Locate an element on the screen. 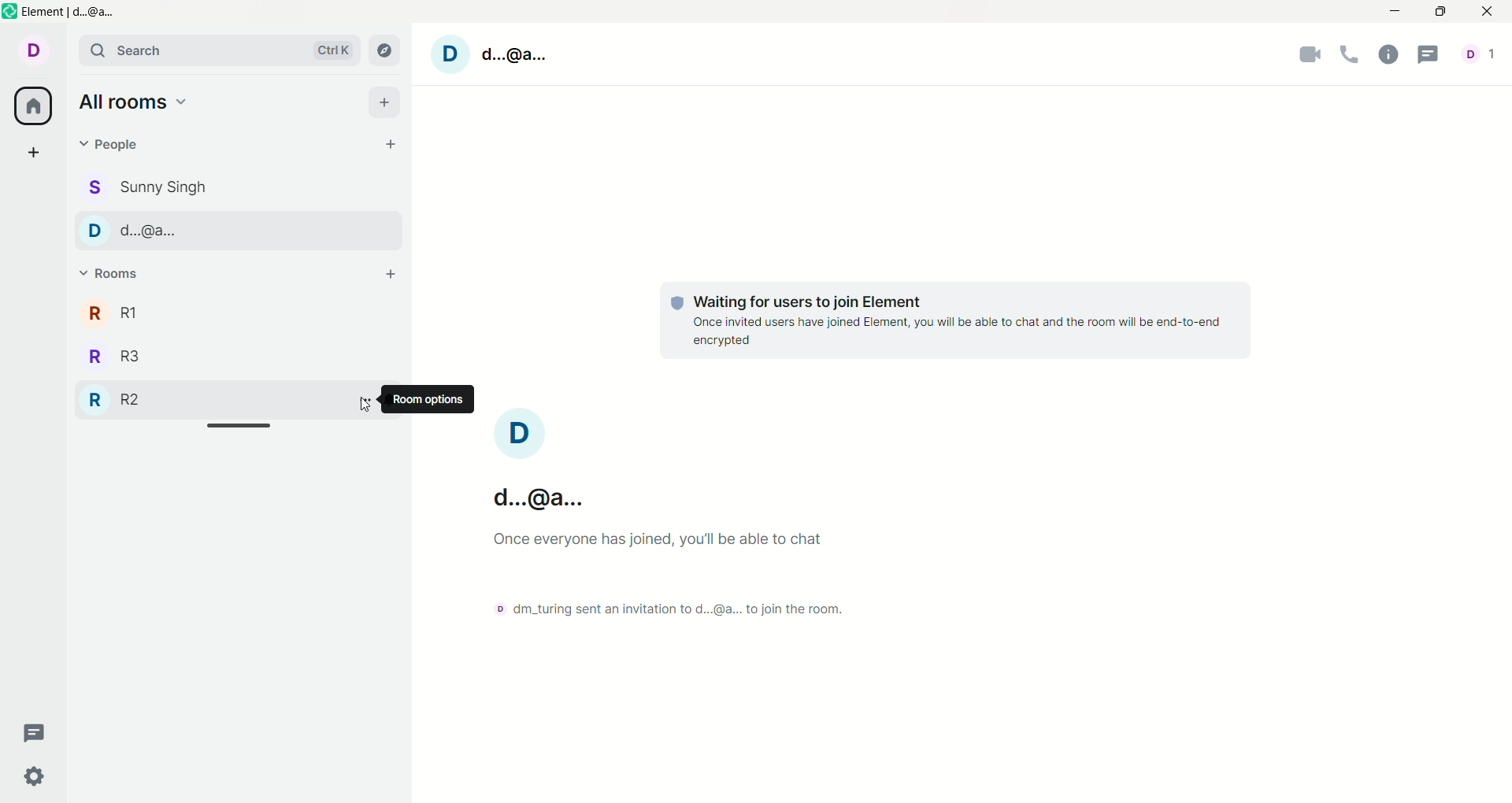 This screenshot has width=1512, height=803. create a space is located at coordinates (35, 151).